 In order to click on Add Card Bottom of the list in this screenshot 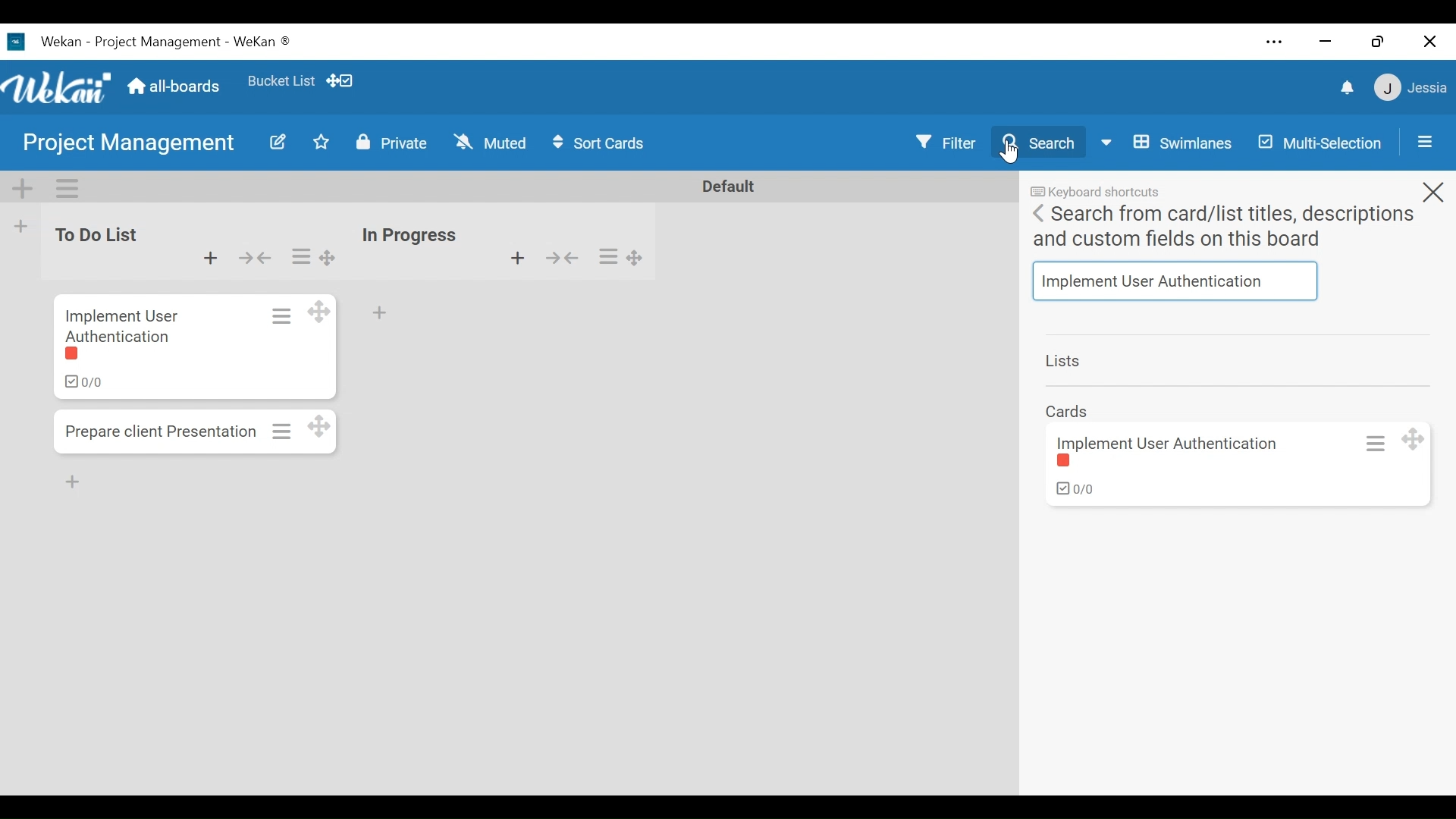, I will do `click(76, 484)`.